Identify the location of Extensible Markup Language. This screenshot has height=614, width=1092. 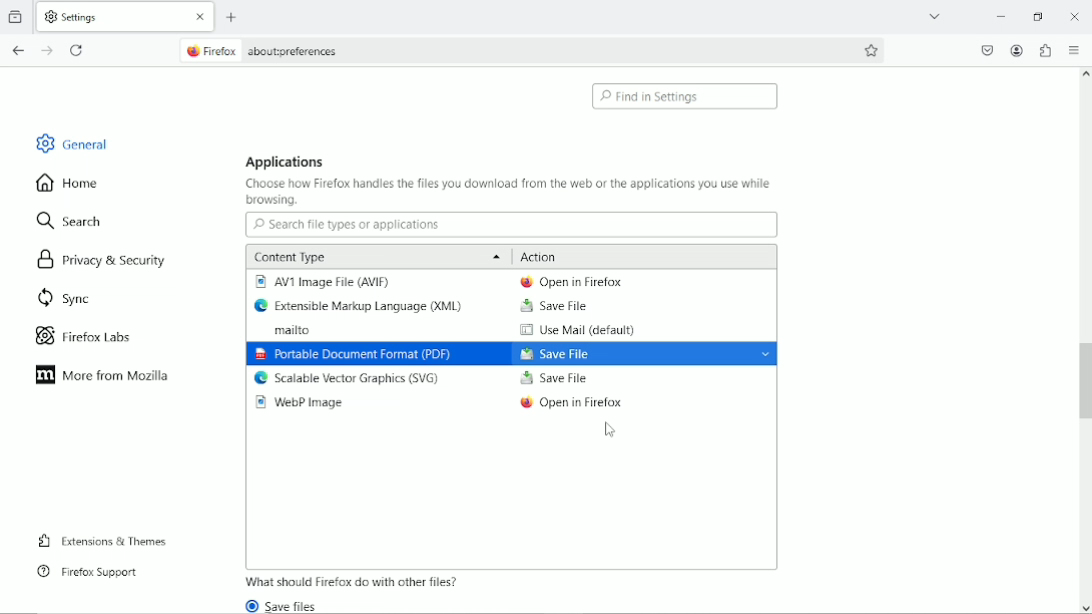
(363, 306).